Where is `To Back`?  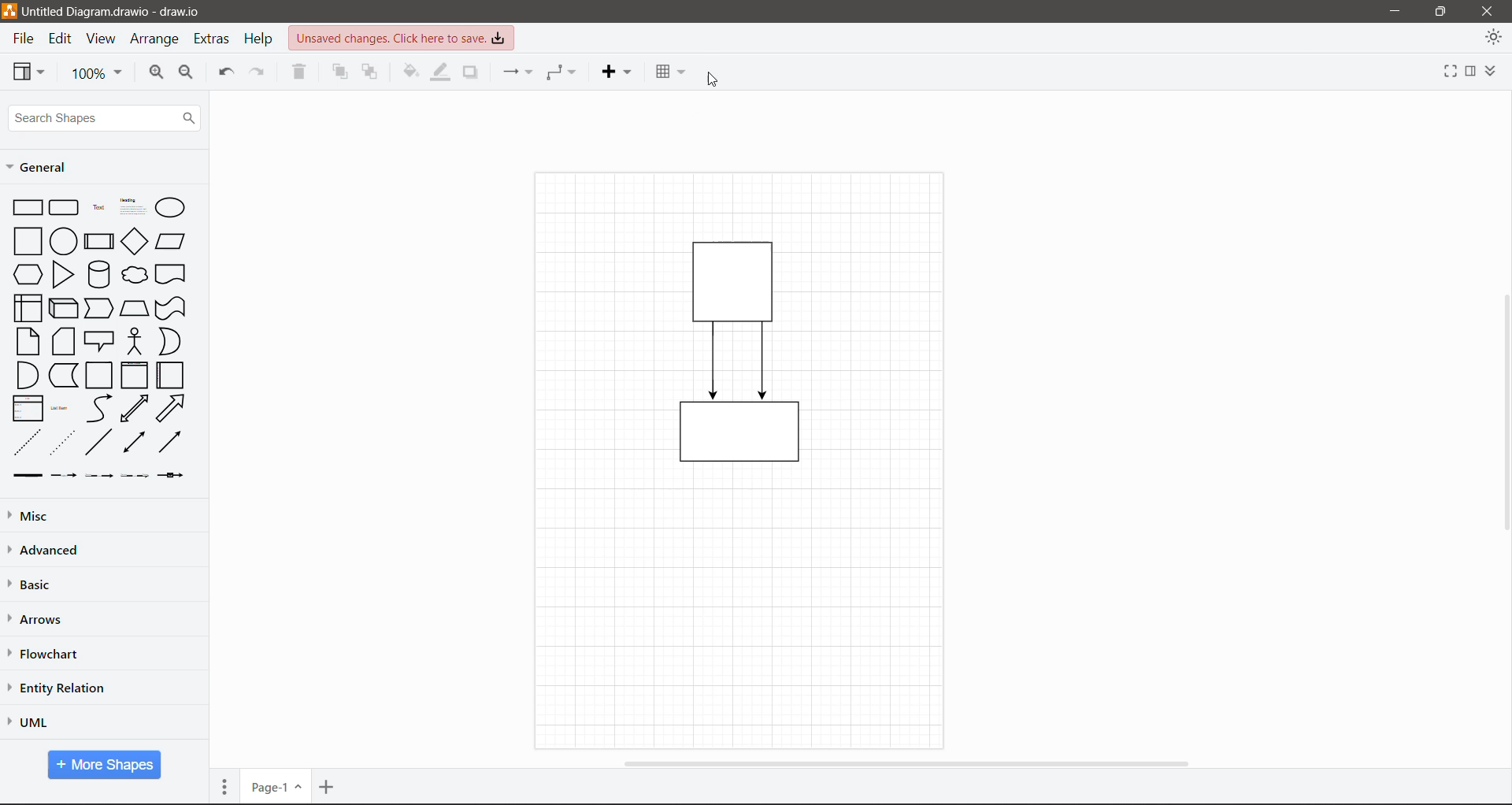 To Back is located at coordinates (372, 73).